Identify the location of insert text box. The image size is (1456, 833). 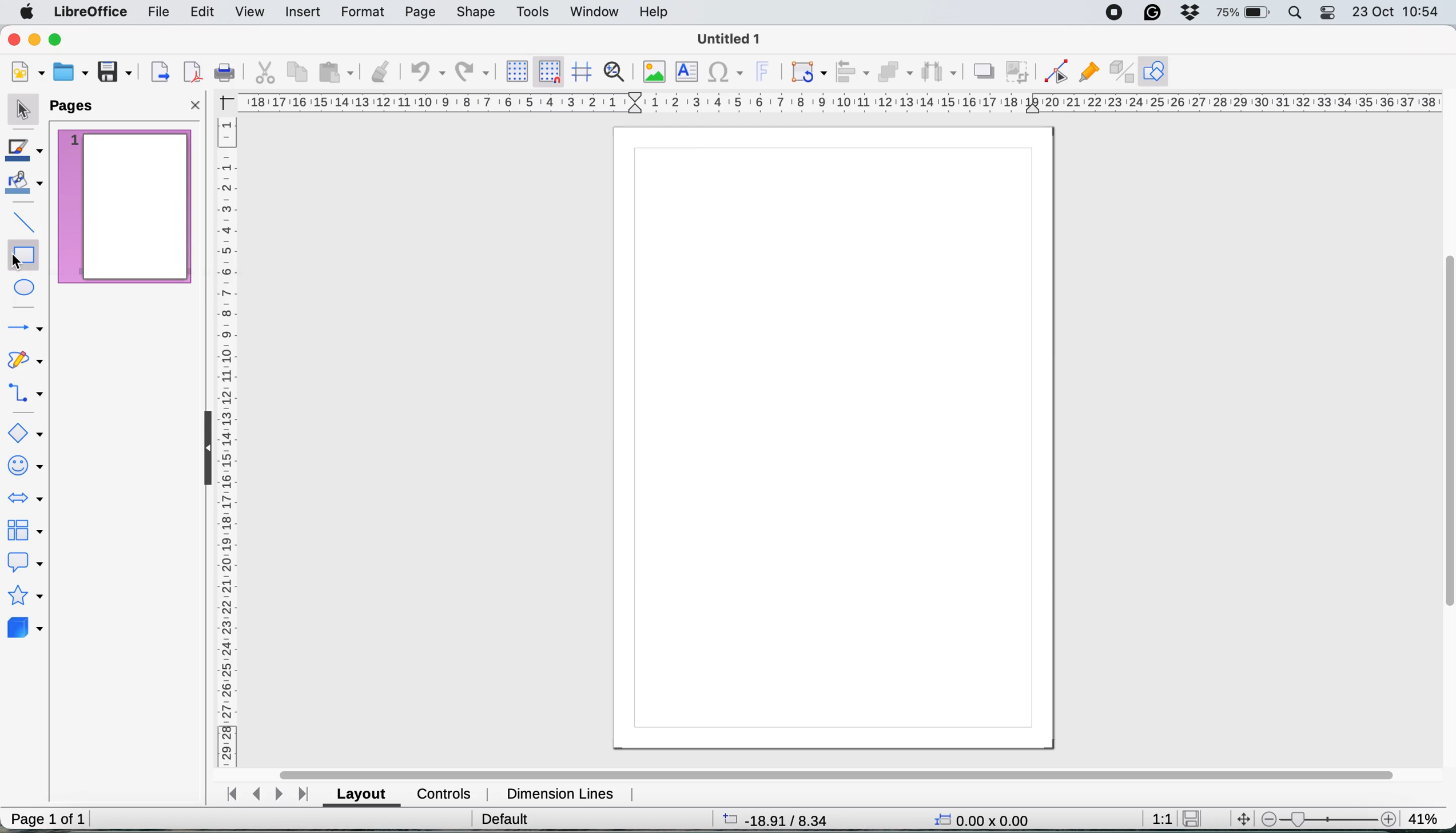
(689, 72).